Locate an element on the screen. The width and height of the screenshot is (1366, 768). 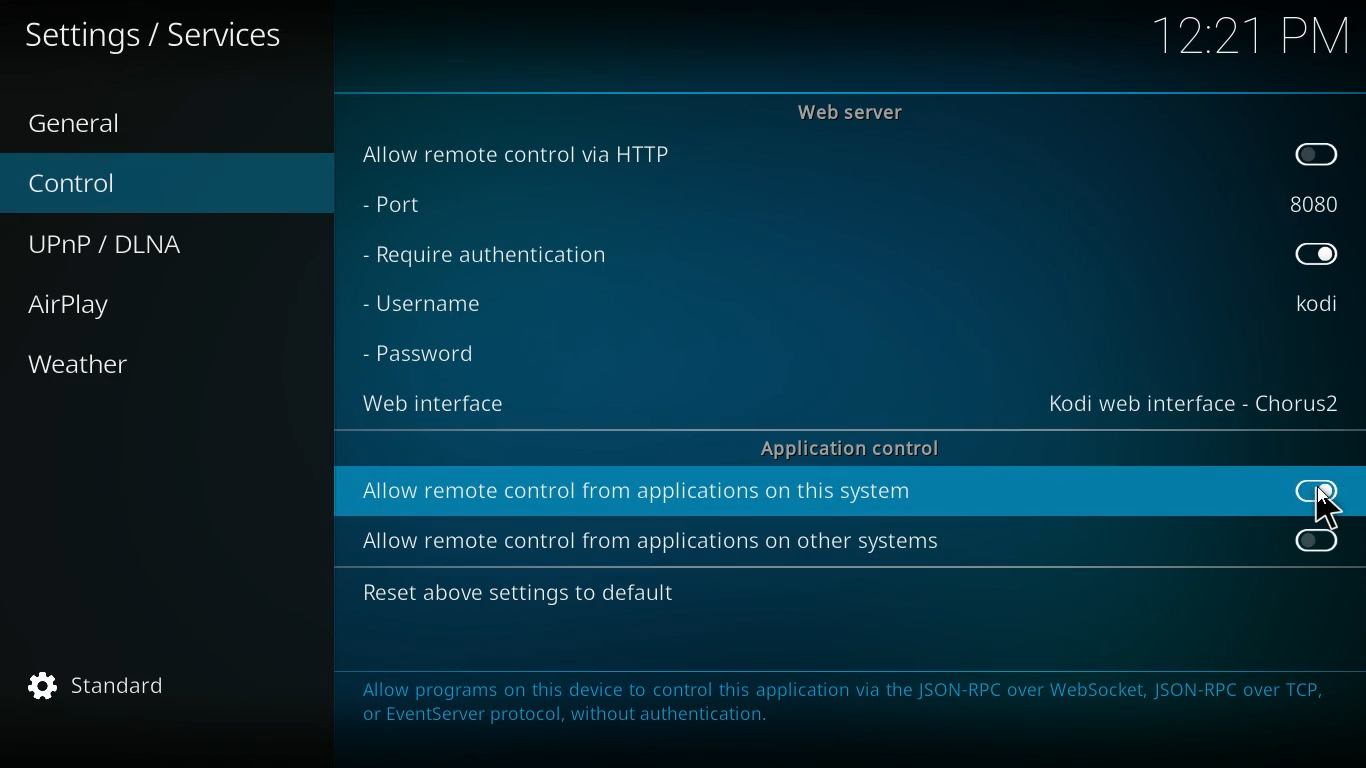
username is located at coordinates (428, 303).